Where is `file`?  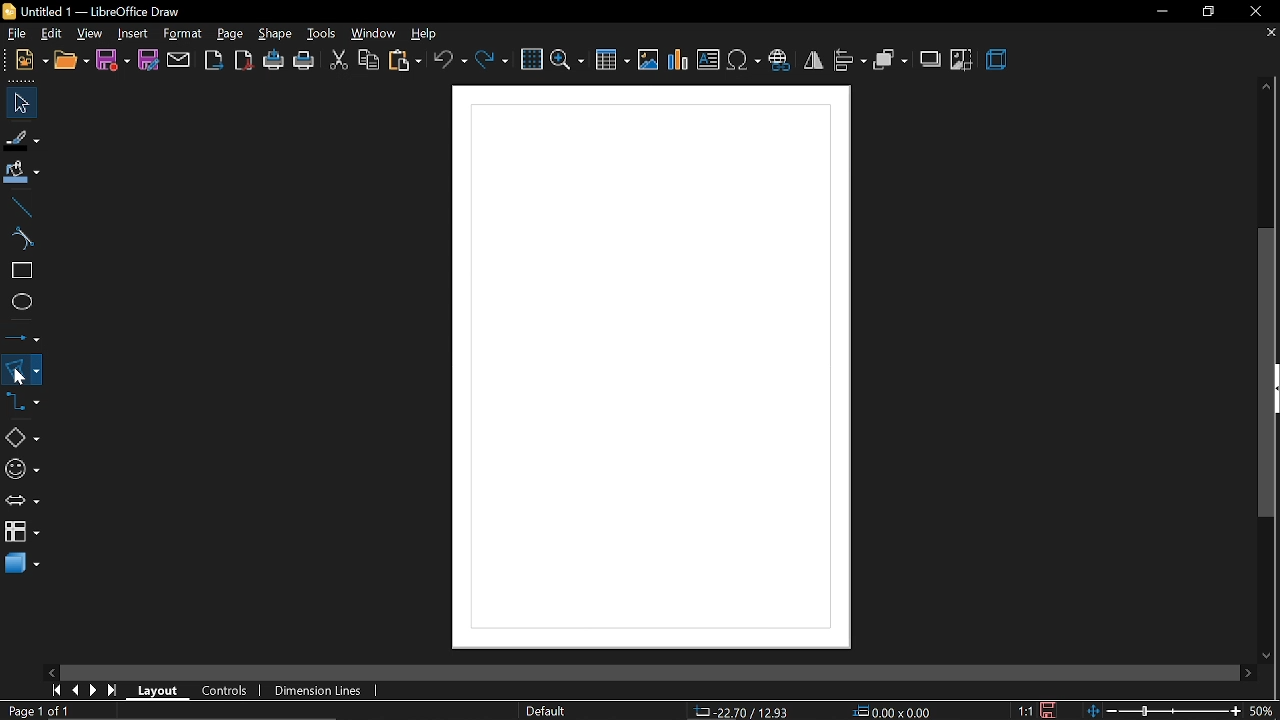 file is located at coordinates (17, 34).